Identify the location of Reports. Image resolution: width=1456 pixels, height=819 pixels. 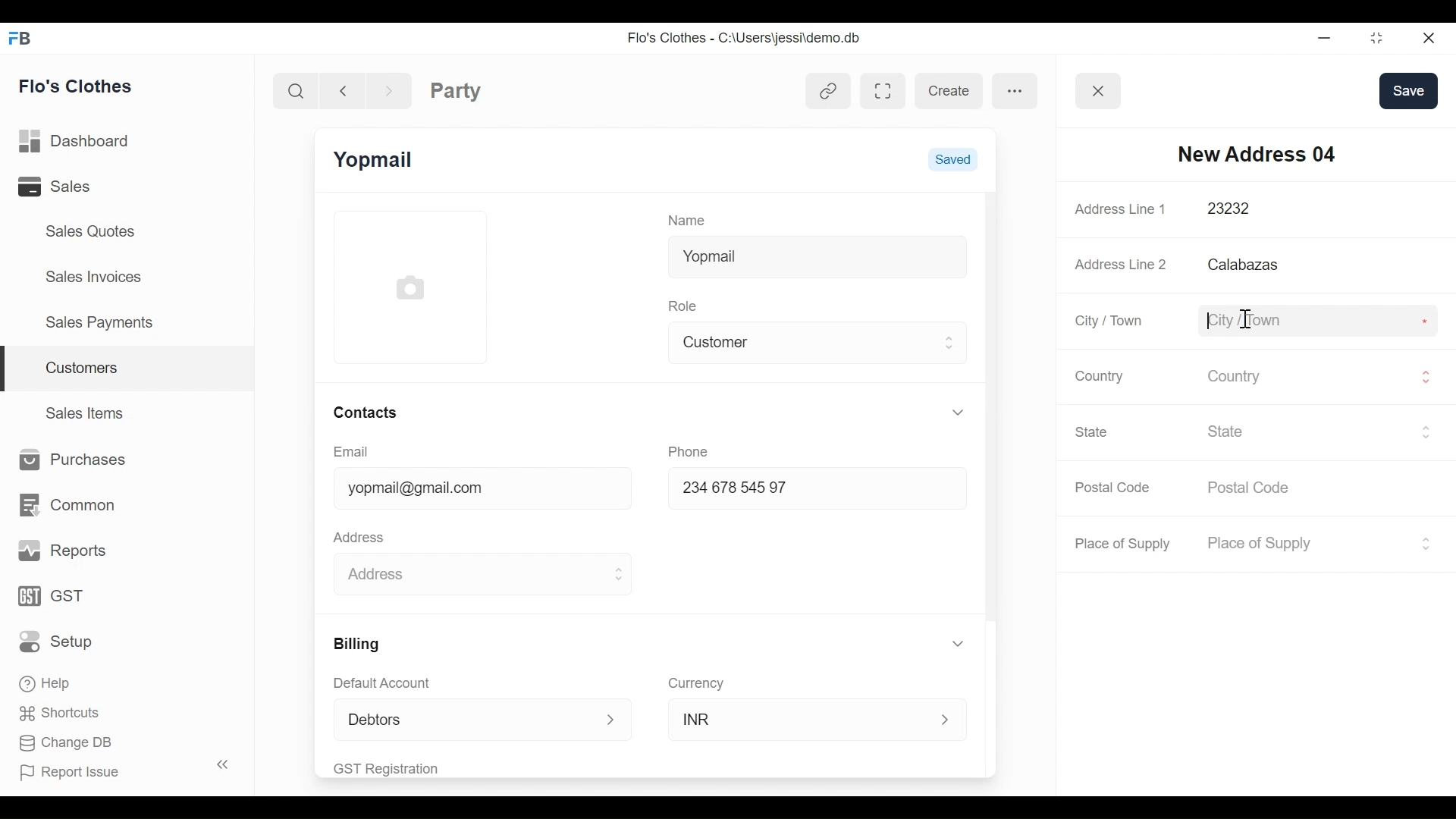
(64, 551).